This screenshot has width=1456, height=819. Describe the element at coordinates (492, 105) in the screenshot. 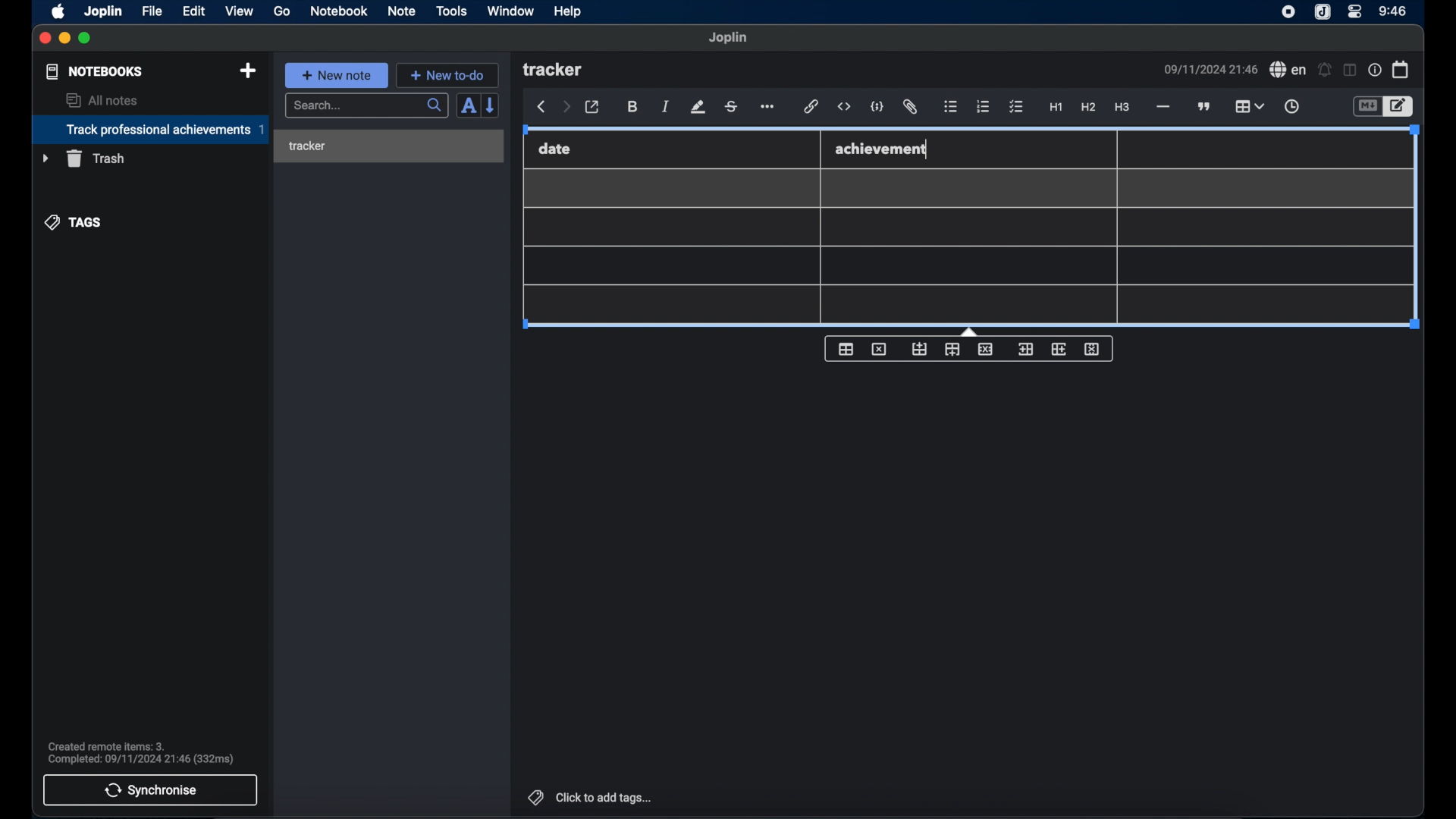

I see `reverse sort order` at that location.